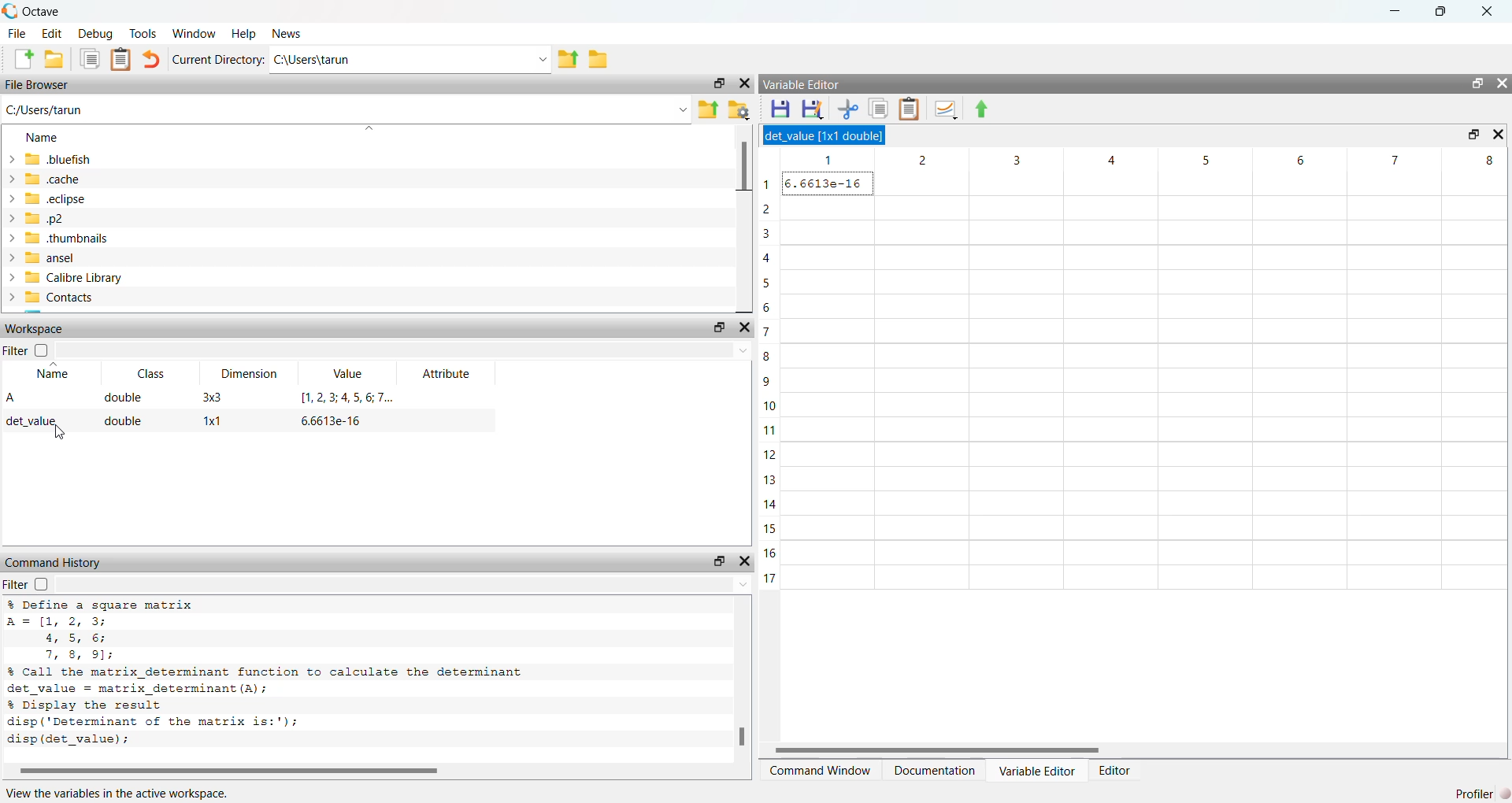 The image size is (1512, 803). What do you see at coordinates (354, 771) in the screenshot?
I see `scrollbar` at bounding box center [354, 771].